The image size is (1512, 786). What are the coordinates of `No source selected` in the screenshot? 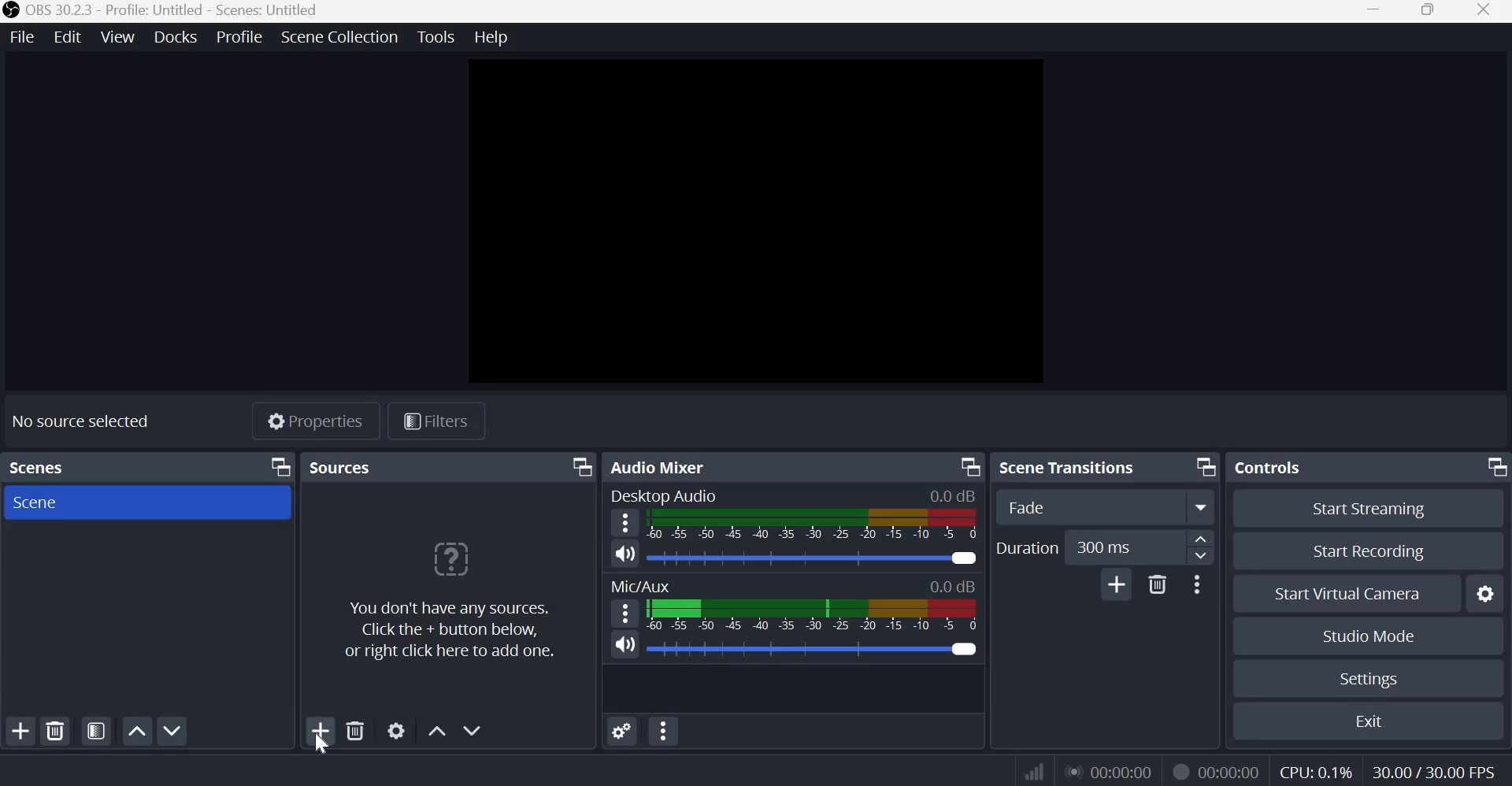 It's located at (83, 421).